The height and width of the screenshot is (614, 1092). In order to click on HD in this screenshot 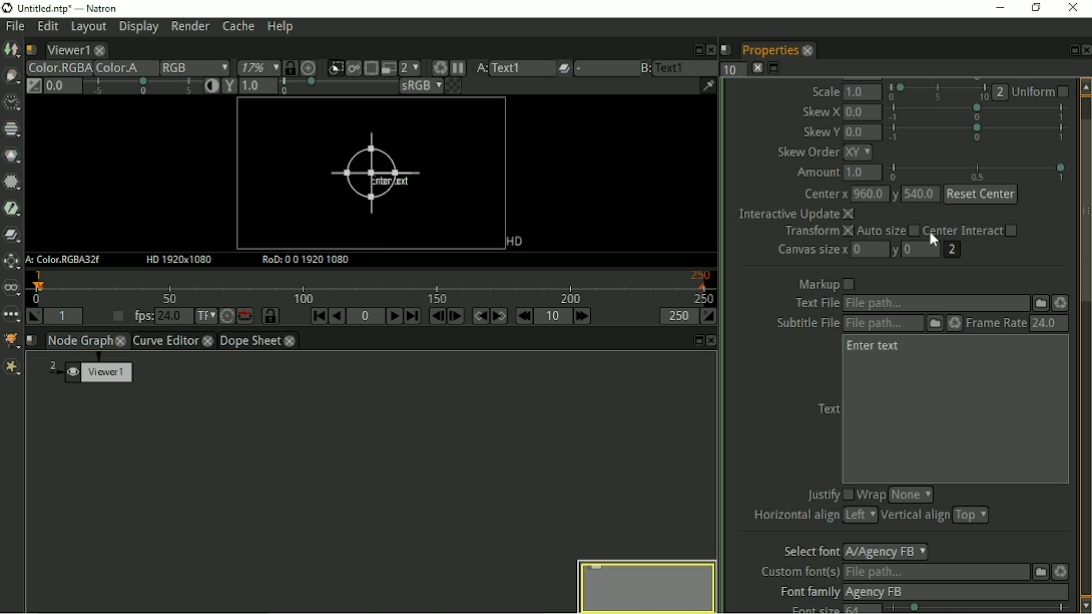, I will do `click(512, 242)`.